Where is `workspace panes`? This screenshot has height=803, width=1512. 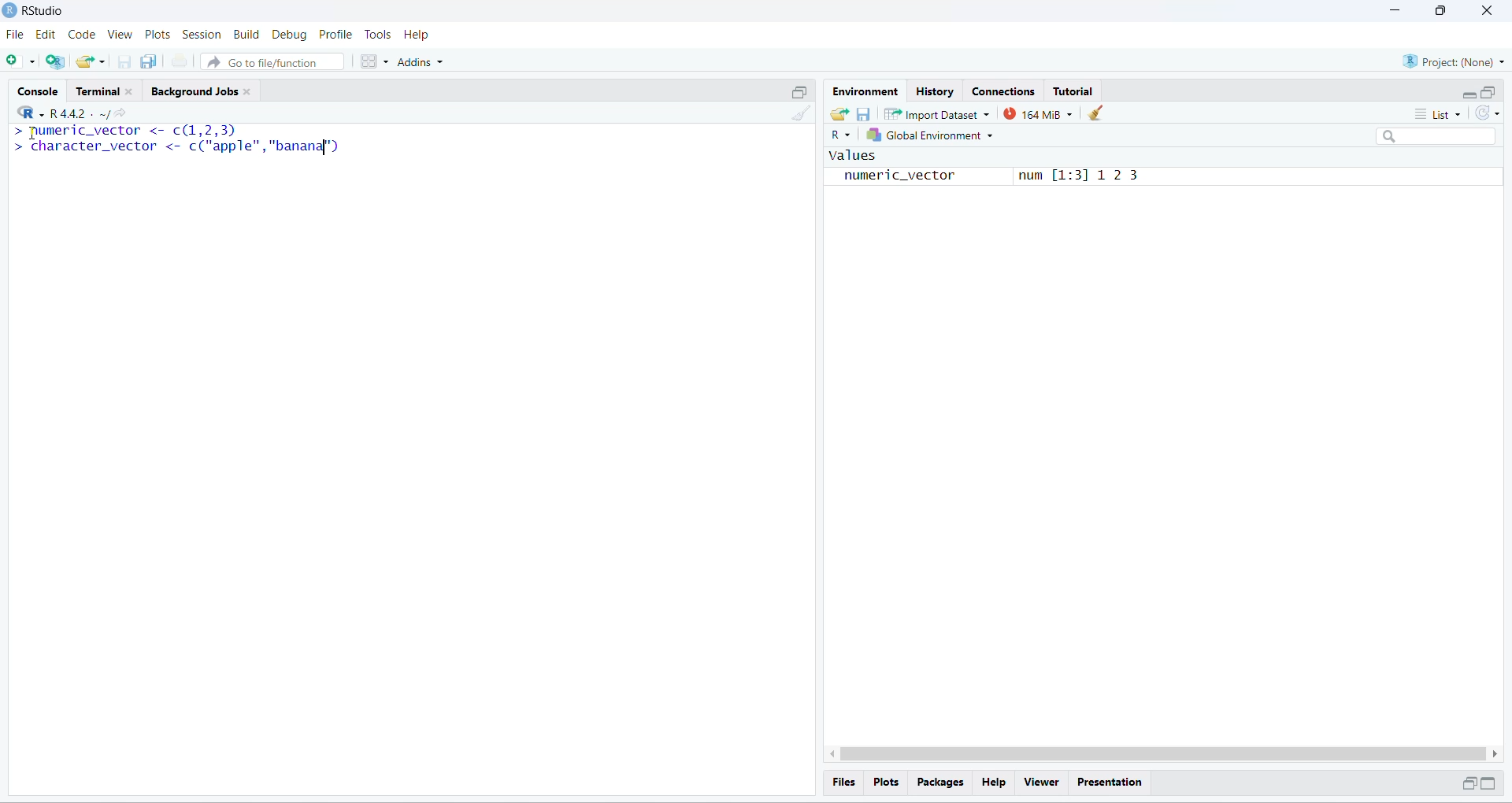
workspace panes is located at coordinates (373, 61).